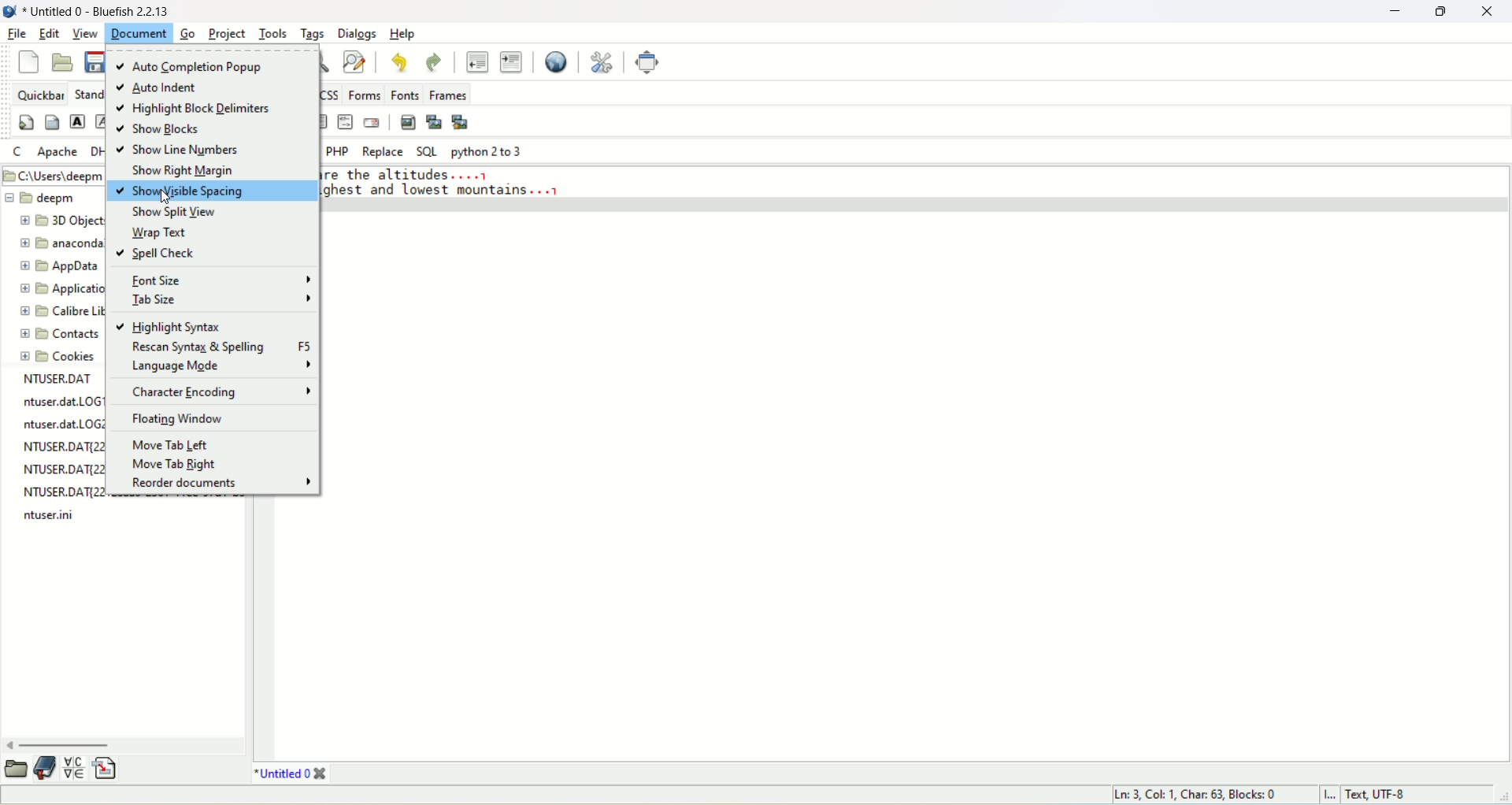  What do you see at coordinates (403, 92) in the screenshot?
I see `fonts` at bounding box center [403, 92].